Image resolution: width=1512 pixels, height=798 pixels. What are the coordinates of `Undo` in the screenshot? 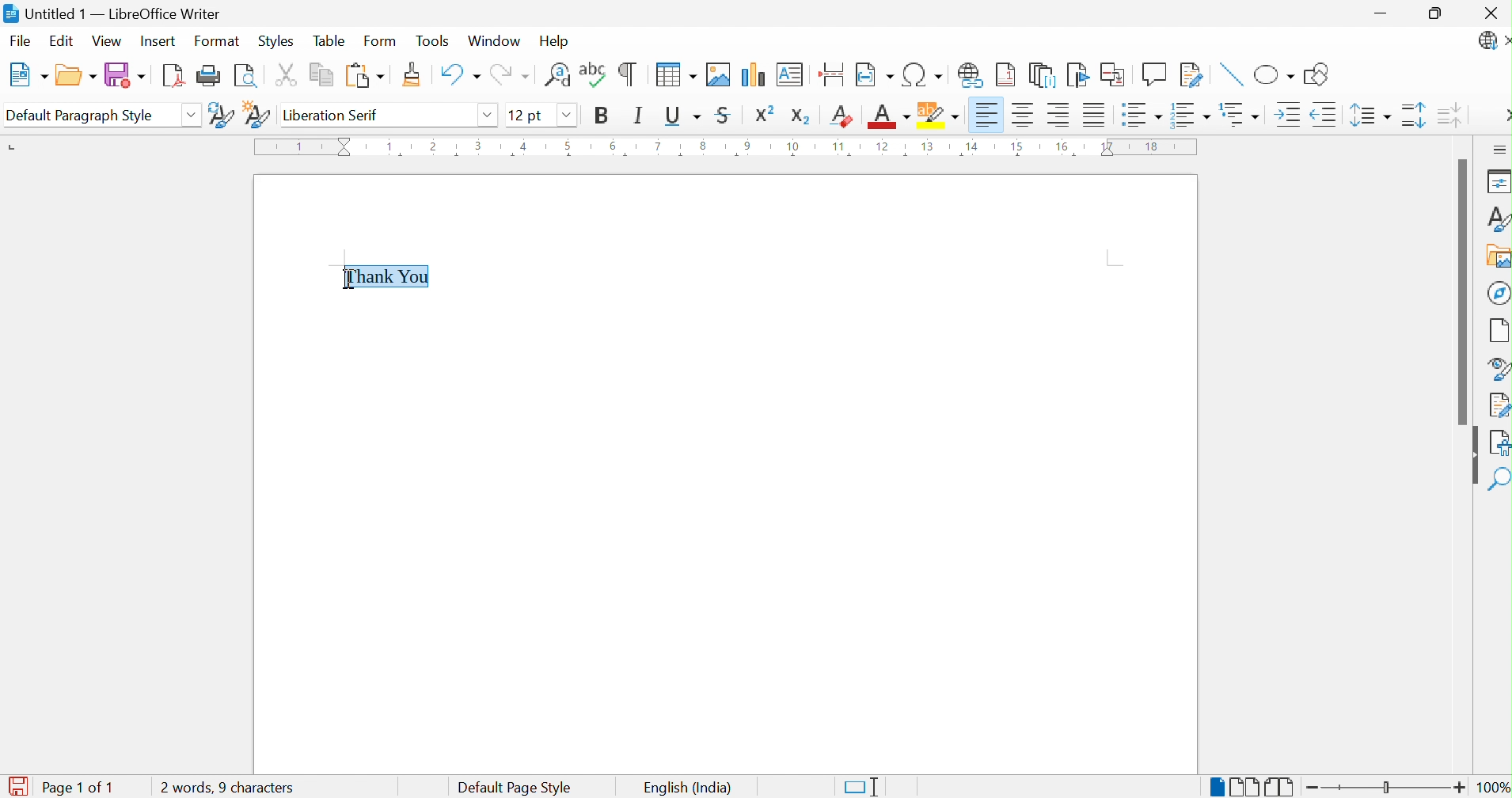 It's located at (460, 75).